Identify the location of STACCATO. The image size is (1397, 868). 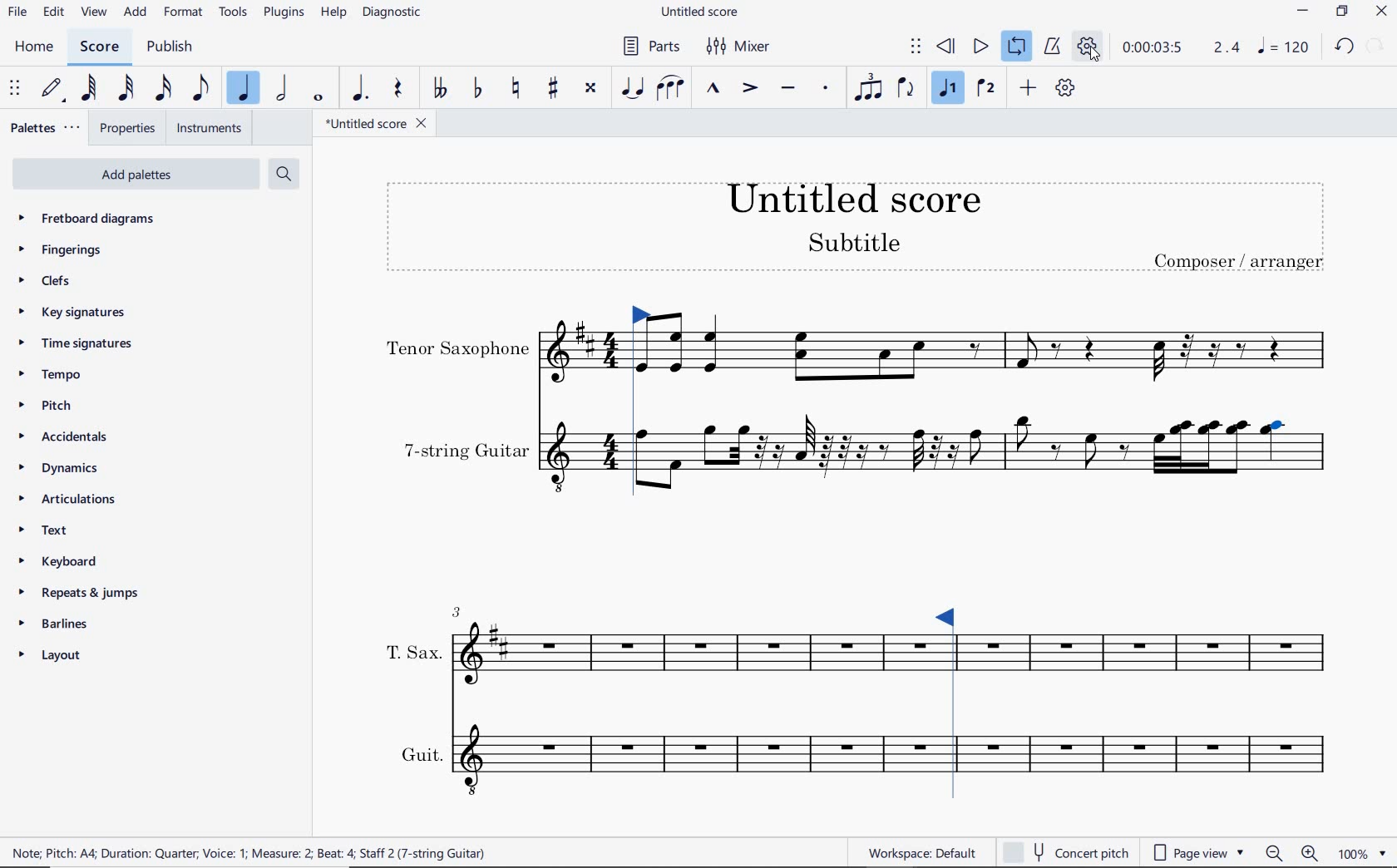
(825, 88).